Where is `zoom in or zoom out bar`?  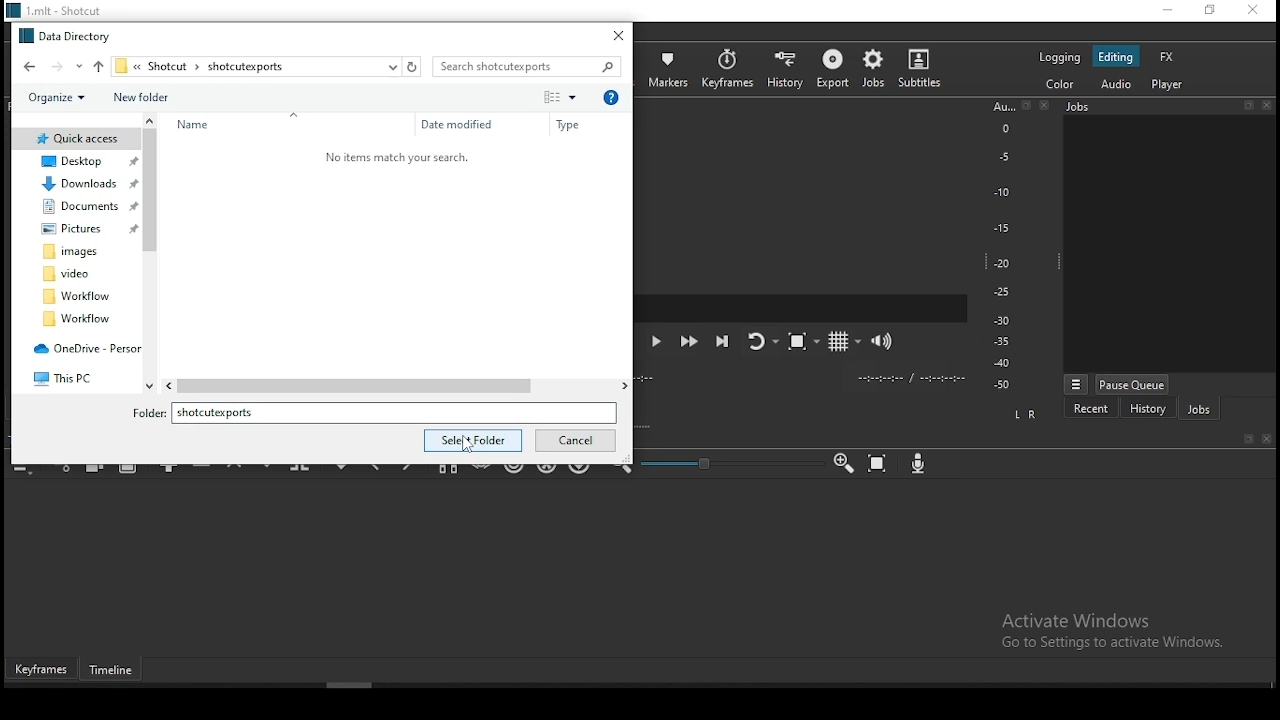
zoom in or zoom out bar is located at coordinates (722, 463).